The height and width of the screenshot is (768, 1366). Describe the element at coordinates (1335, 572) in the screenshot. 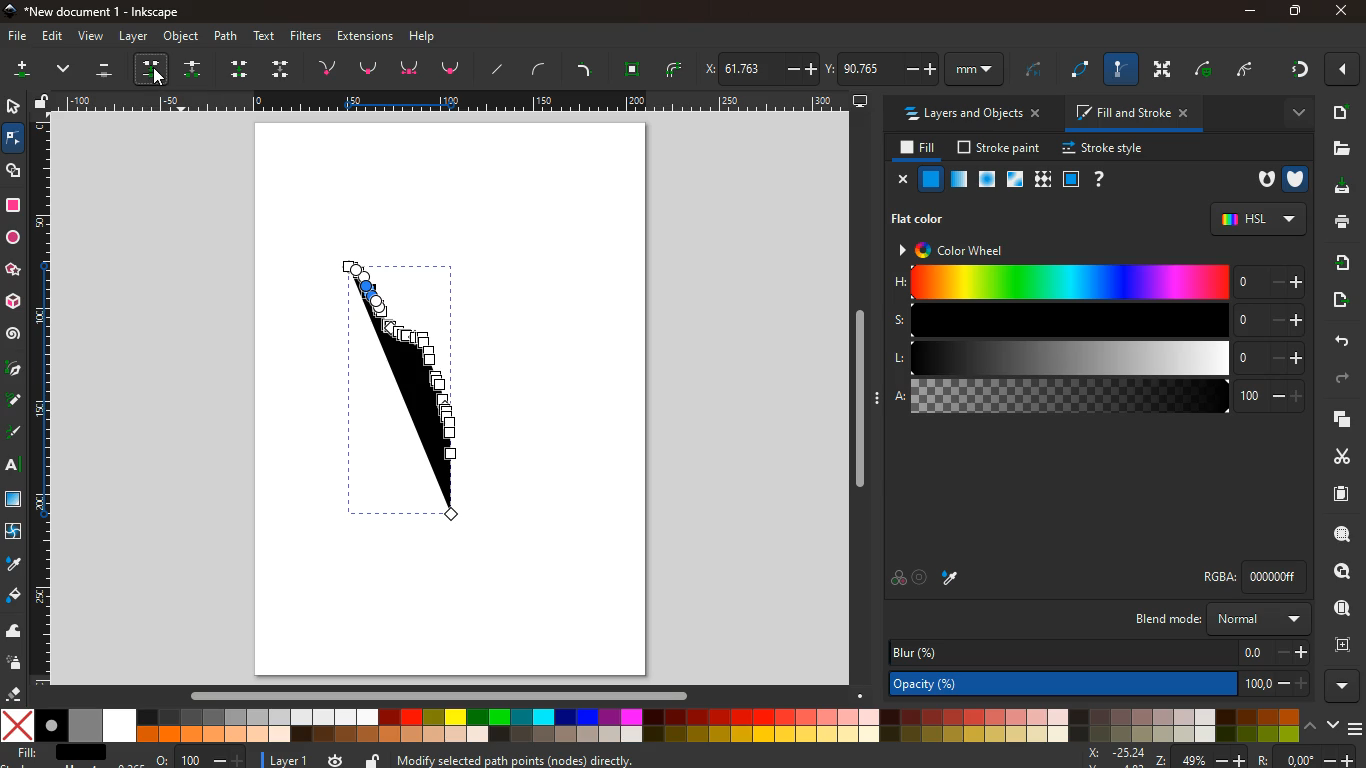

I see `find` at that location.